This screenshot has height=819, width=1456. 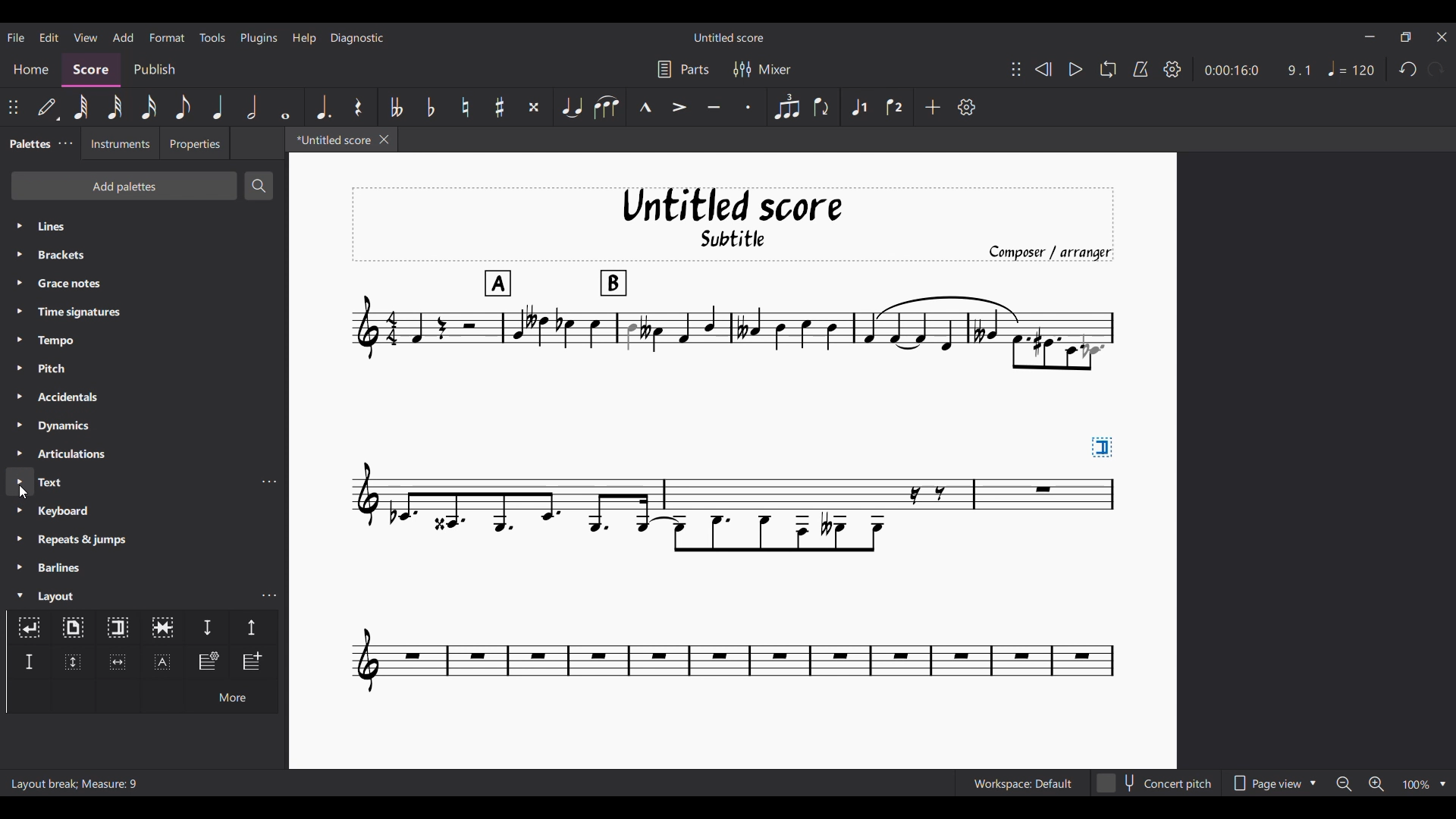 I want to click on Publish section, so click(x=154, y=70).